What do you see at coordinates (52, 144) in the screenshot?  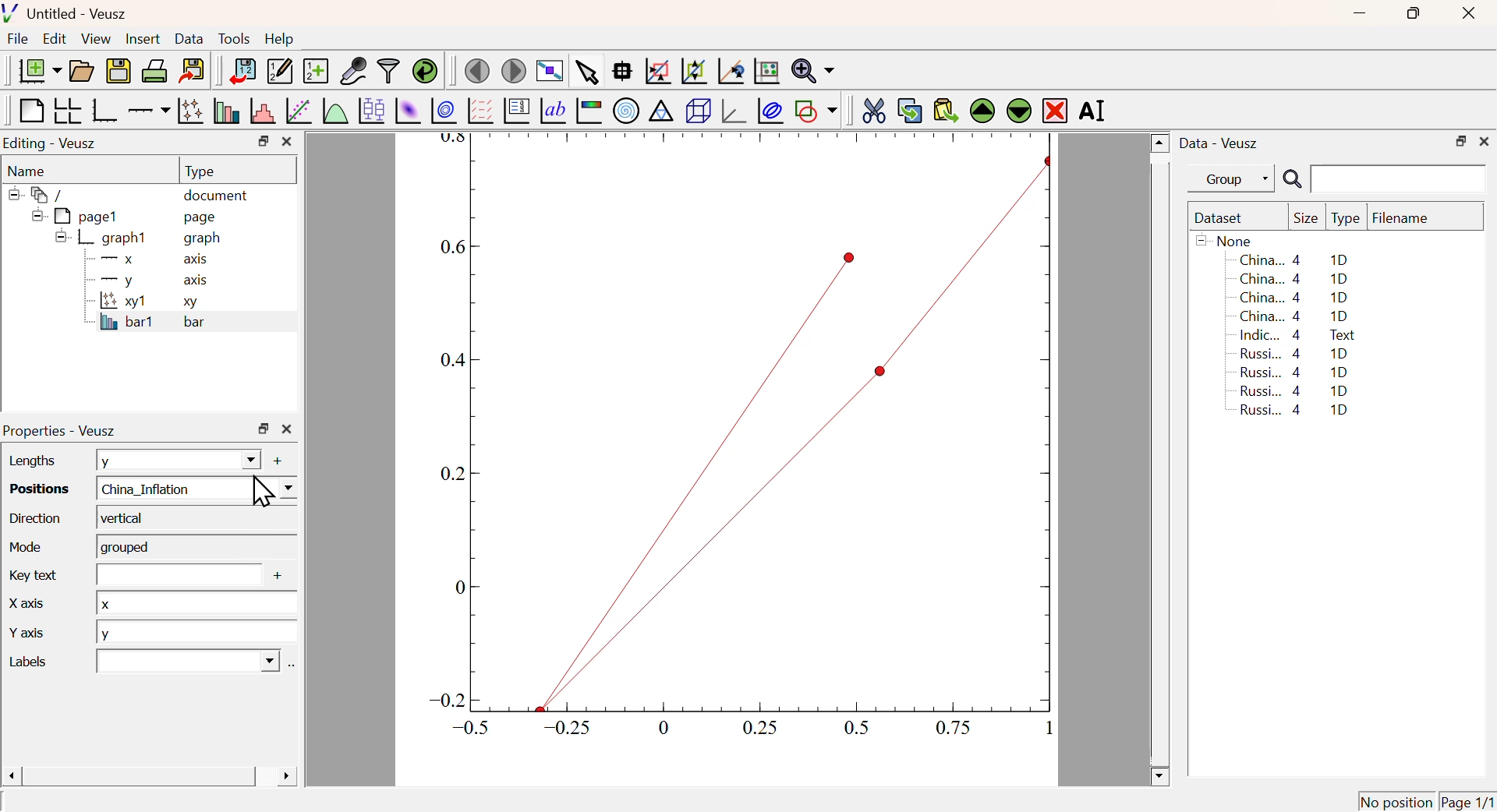 I see `Editing - Veusz` at bounding box center [52, 144].